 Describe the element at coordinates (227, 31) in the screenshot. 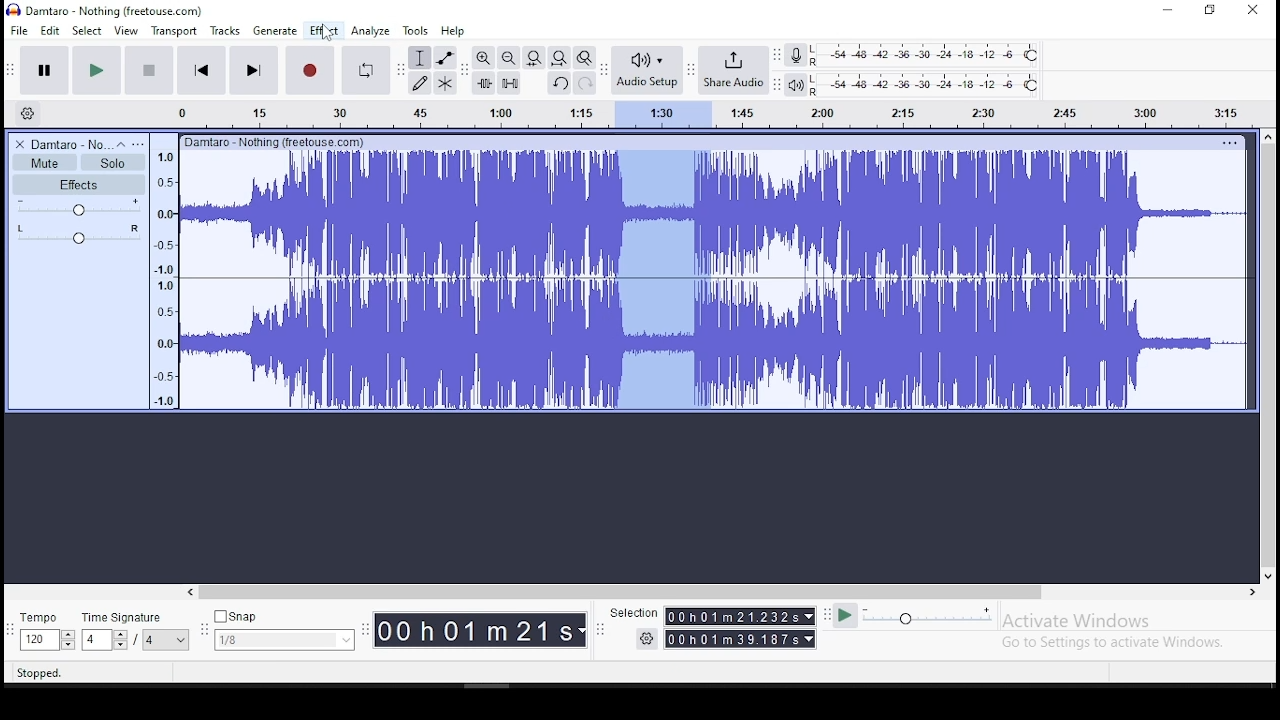

I see `tracks` at that location.